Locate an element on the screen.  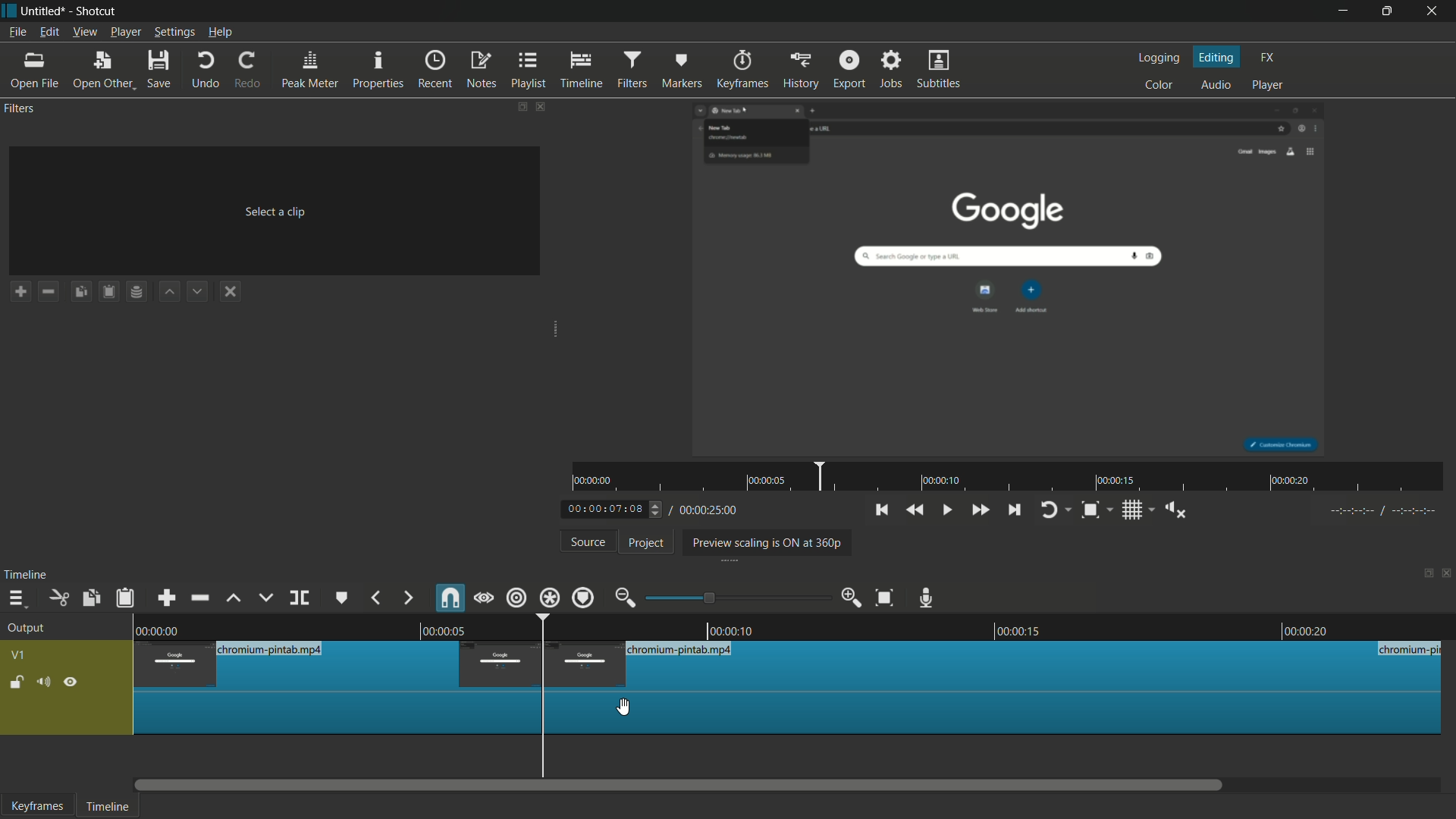
previous marker is located at coordinates (375, 598).